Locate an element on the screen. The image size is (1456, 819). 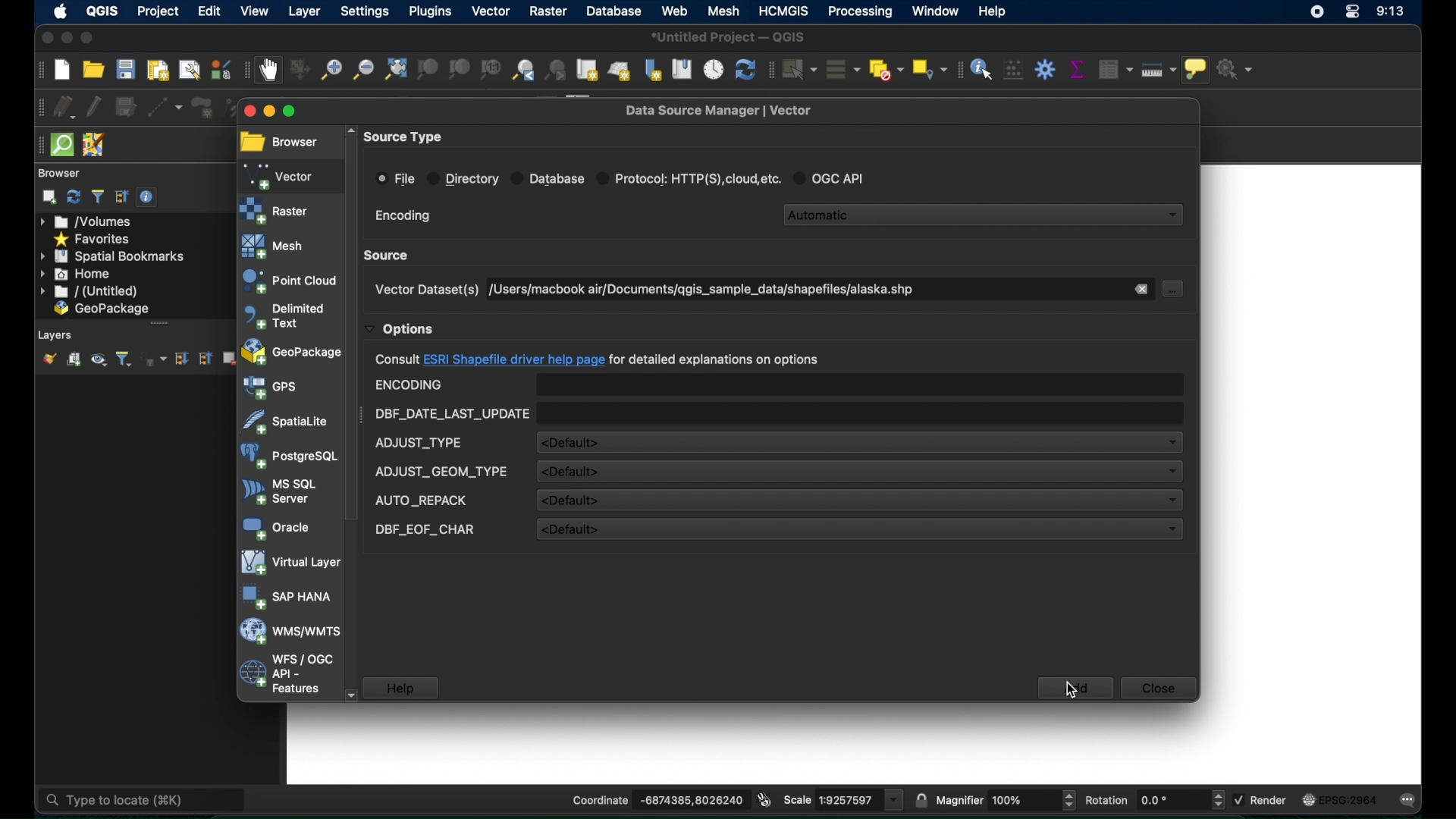
lock scale is located at coordinates (918, 799).